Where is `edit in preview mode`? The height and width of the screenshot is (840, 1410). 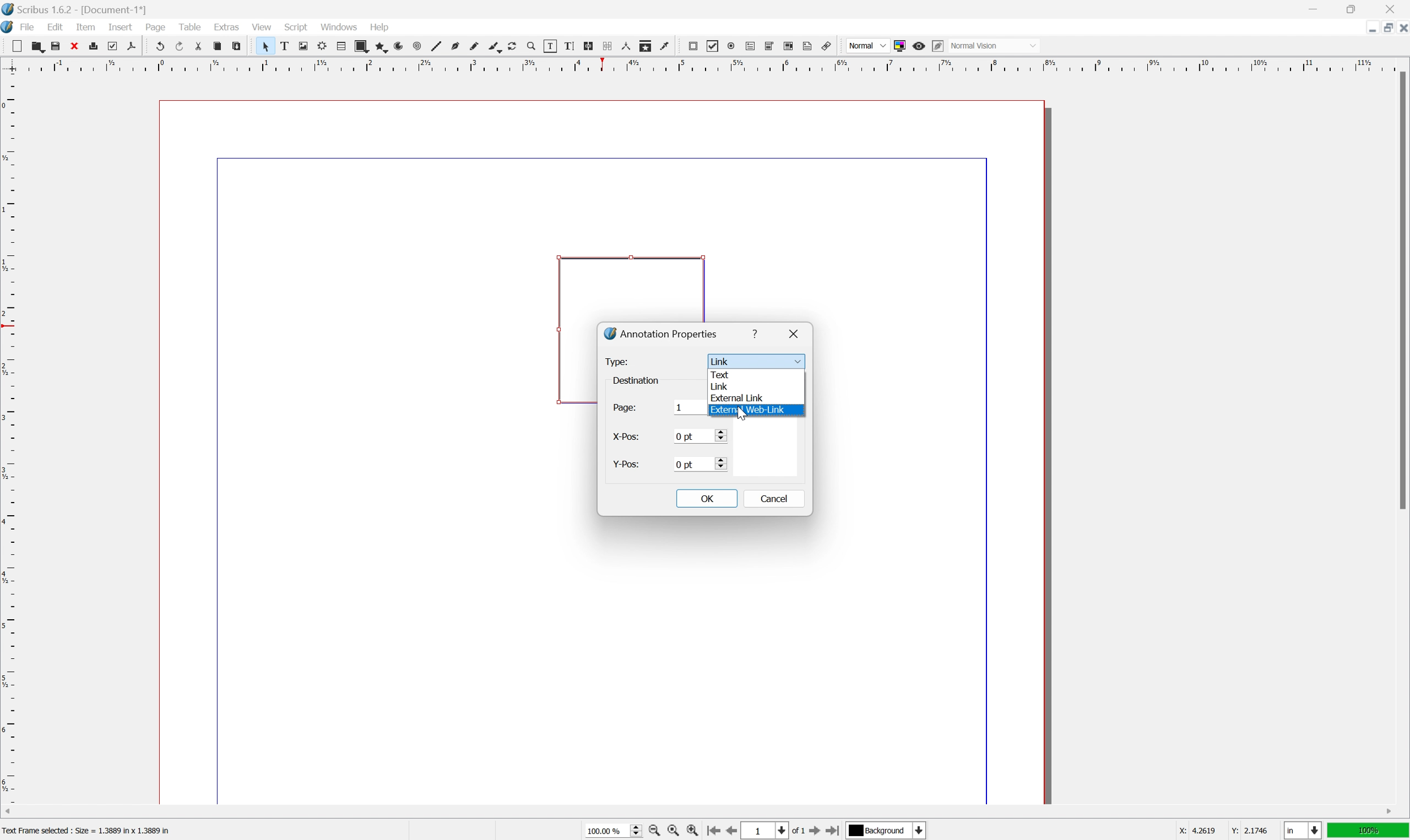 edit in preview mode is located at coordinates (938, 46).